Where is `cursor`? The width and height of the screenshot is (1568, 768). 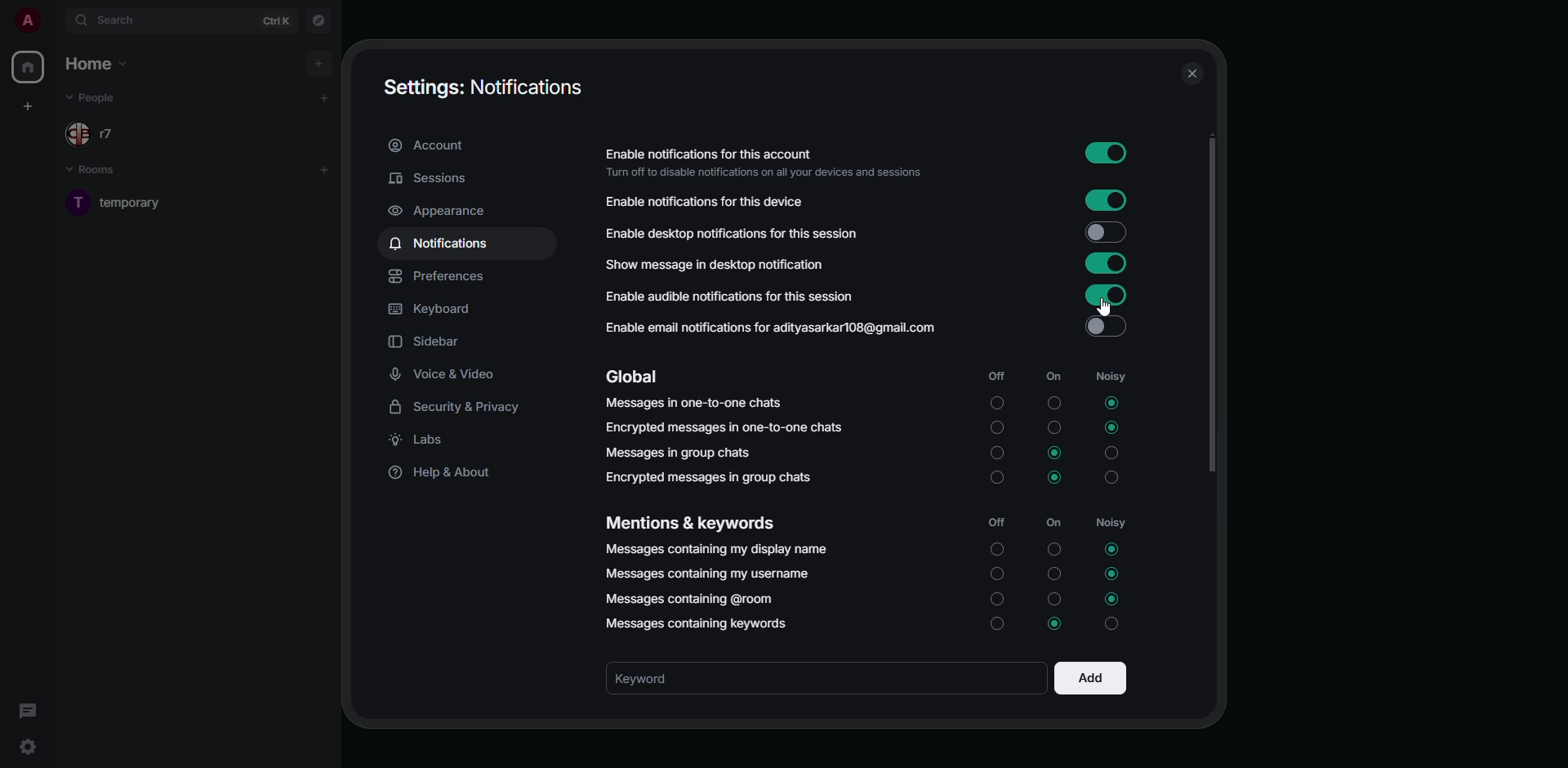
cursor is located at coordinates (1106, 308).